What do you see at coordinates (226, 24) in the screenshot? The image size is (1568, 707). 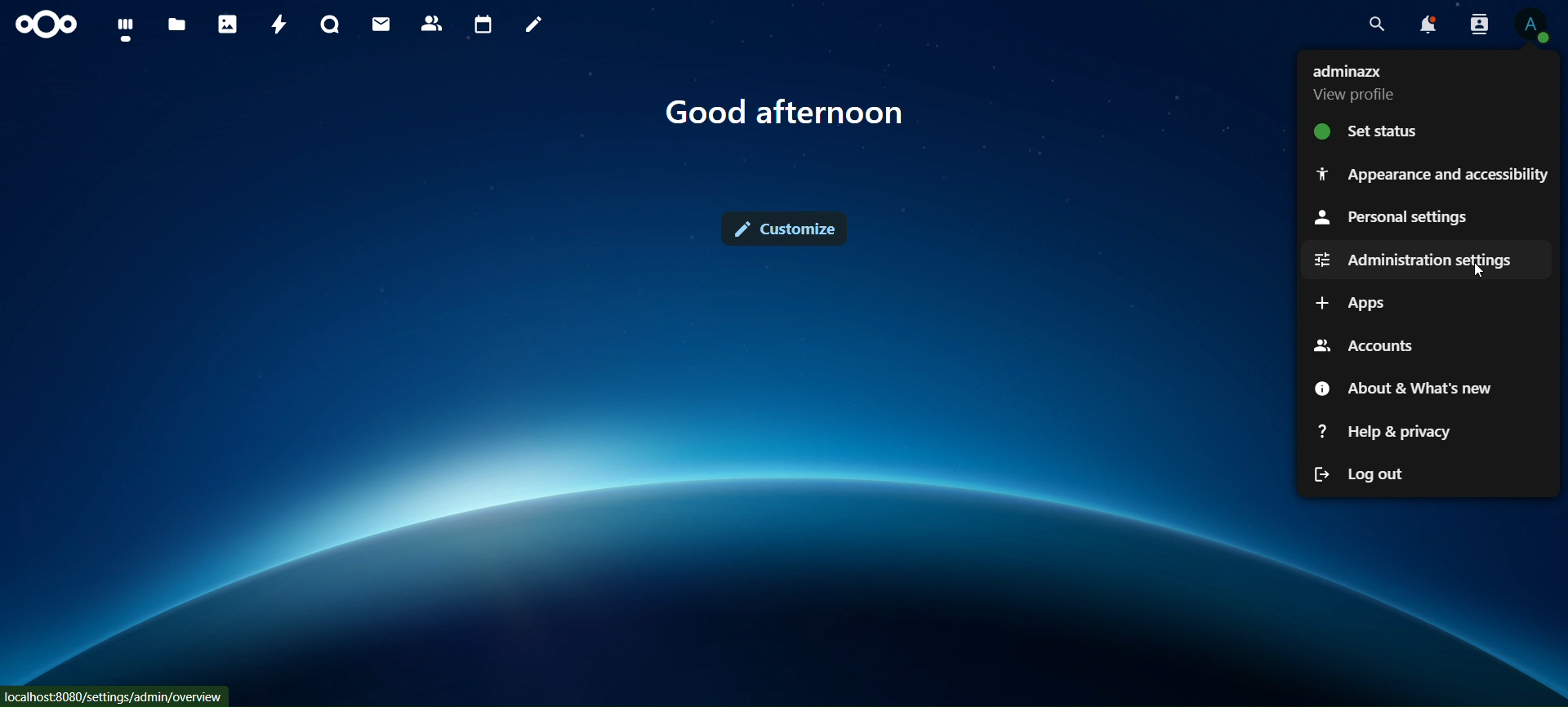 I see `photos` at bounding box center [226, 24].